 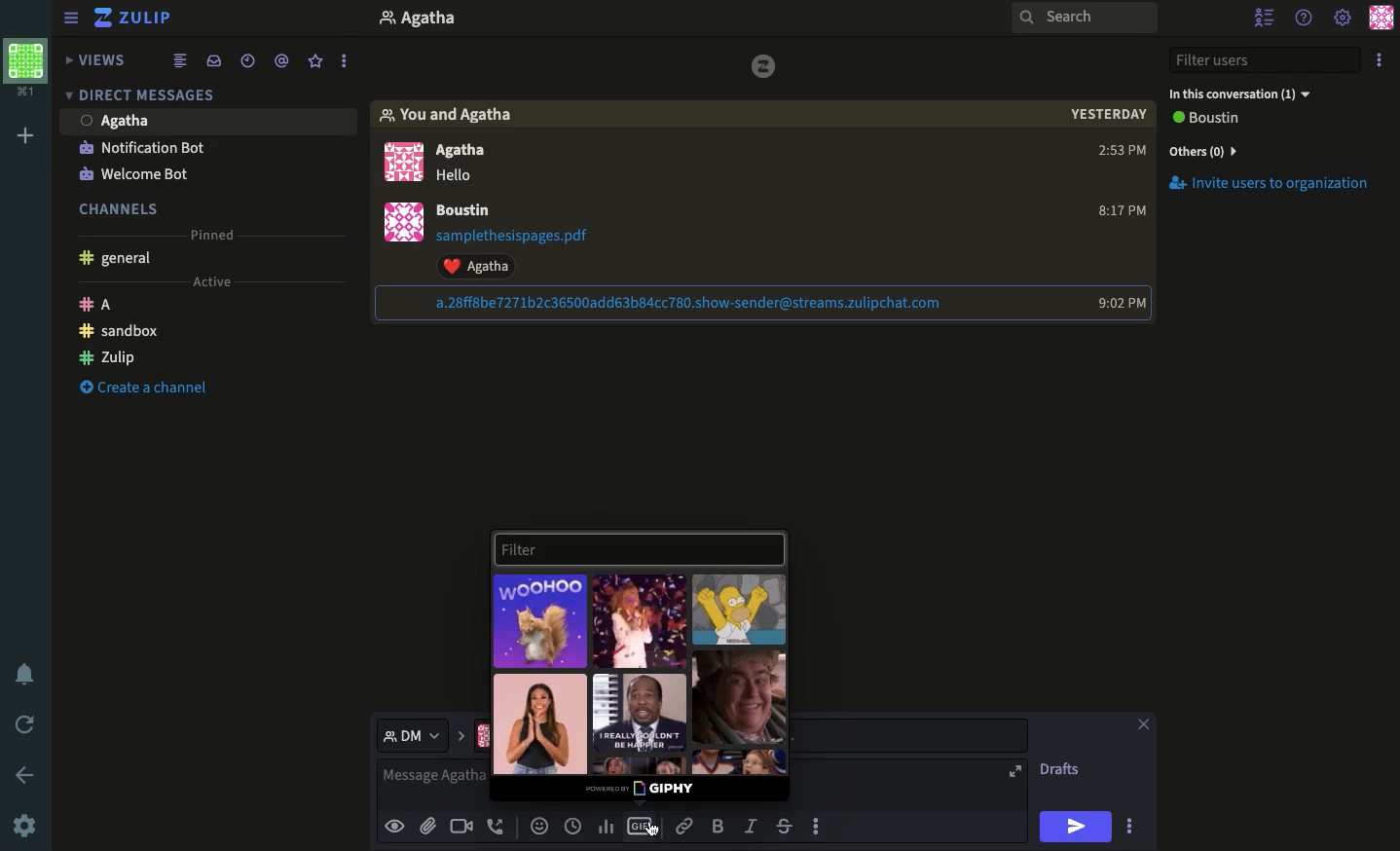 I want to click on cursor, so click(x=656, y=836).